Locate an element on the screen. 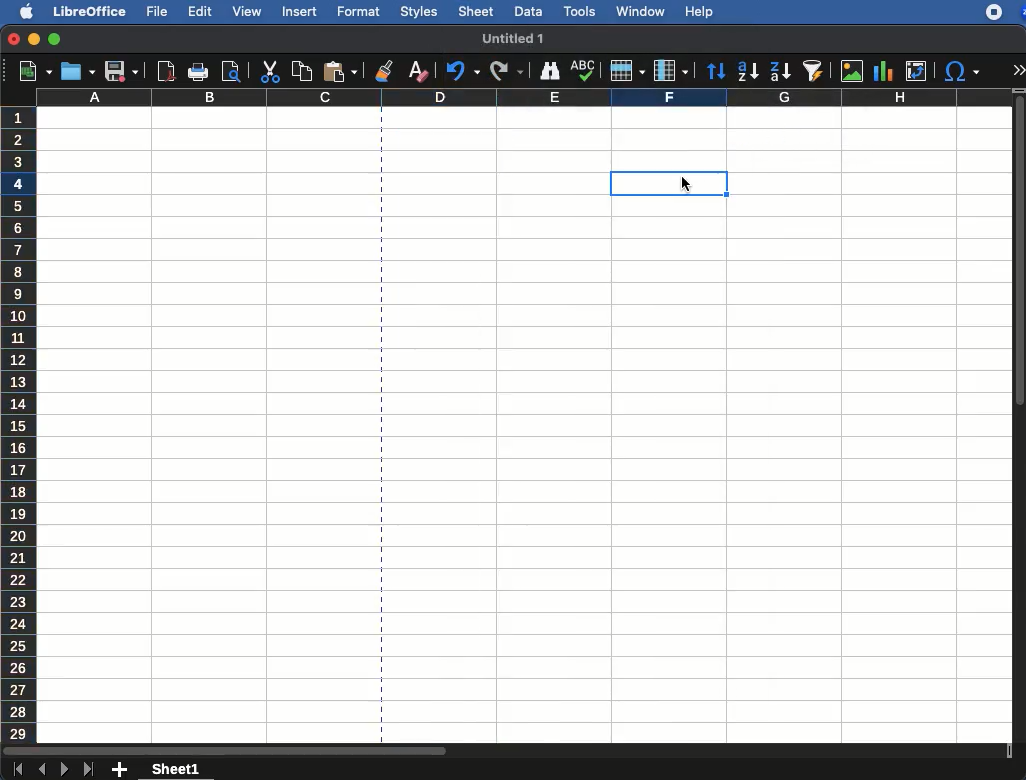 This screenshot has width=1026, height=780. previous sheet is located at coordinates (43, 770).